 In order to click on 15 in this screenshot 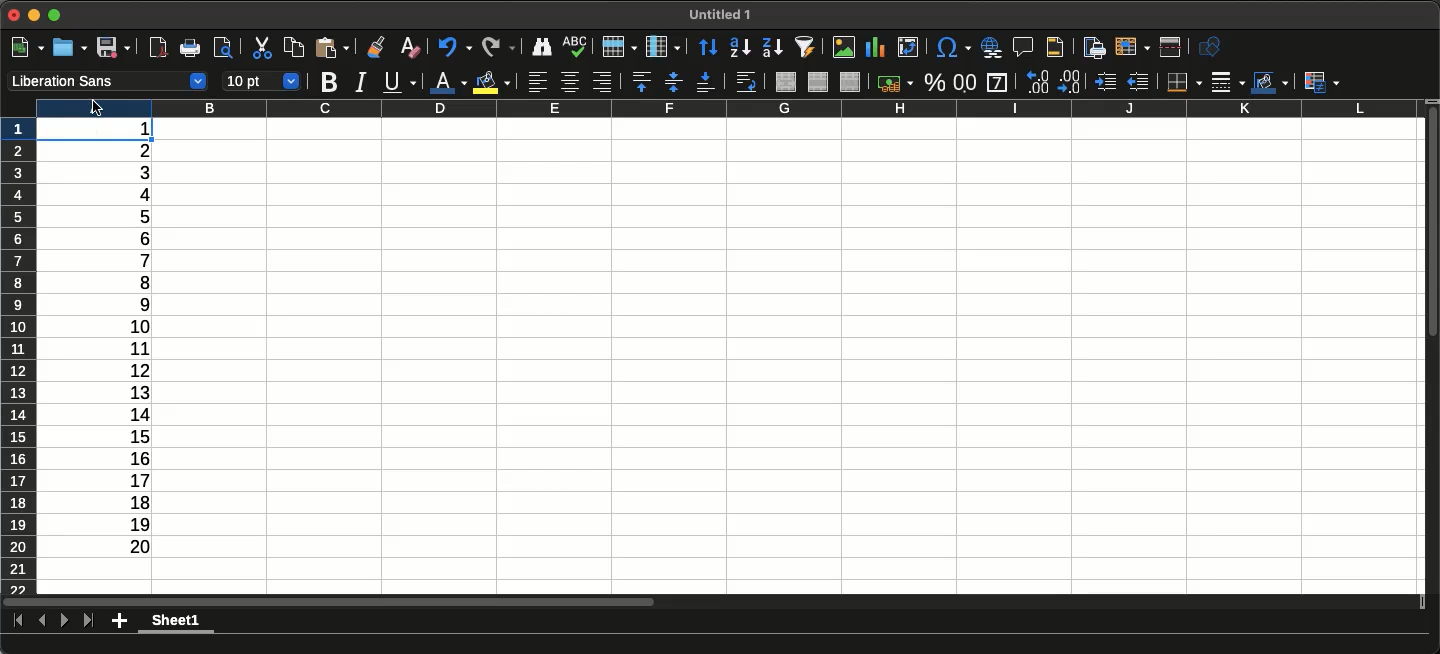, I will do `click(134, 436)`.